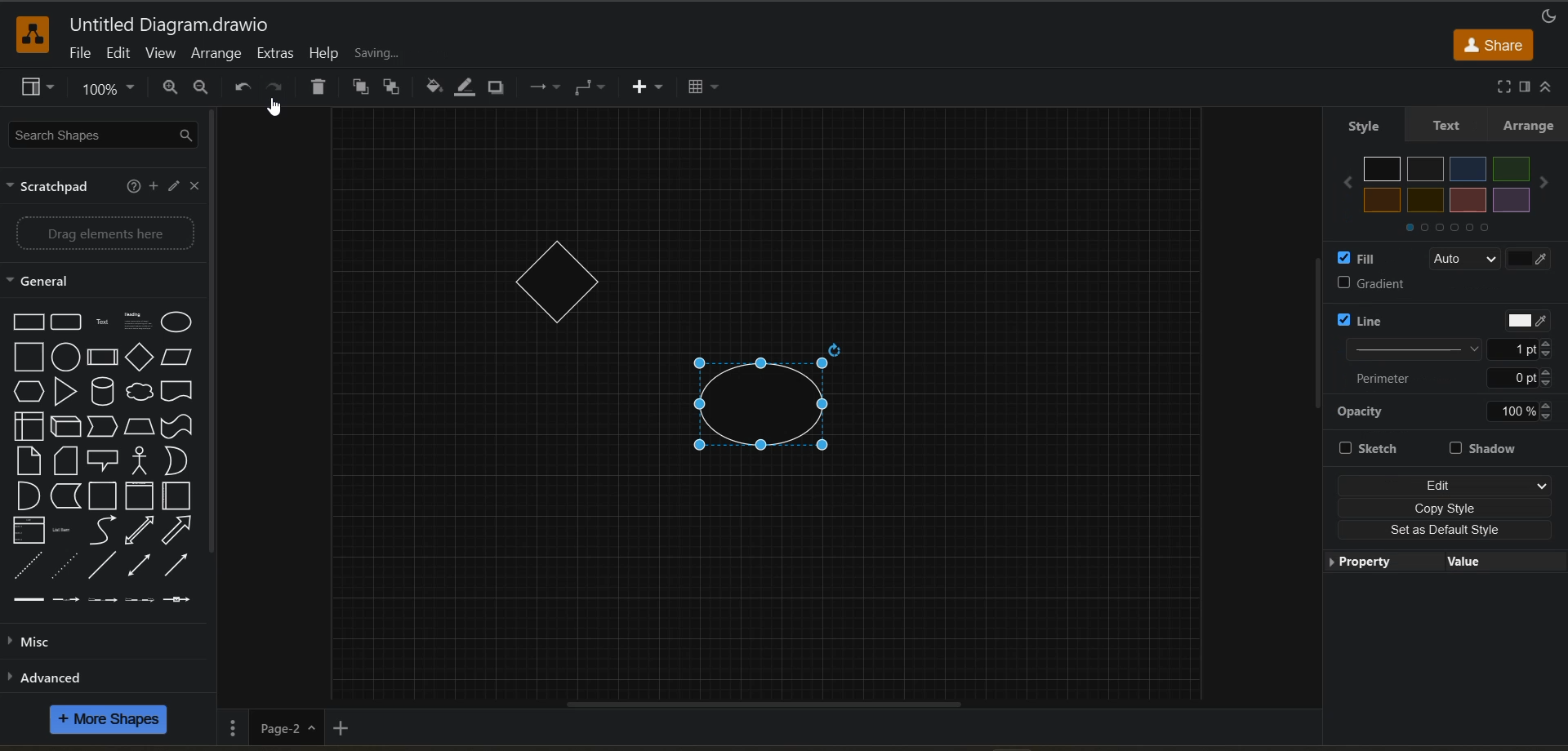  Describe the element at coordinates (1445, 380) in the screenshot. I see `perimeter` at that location.